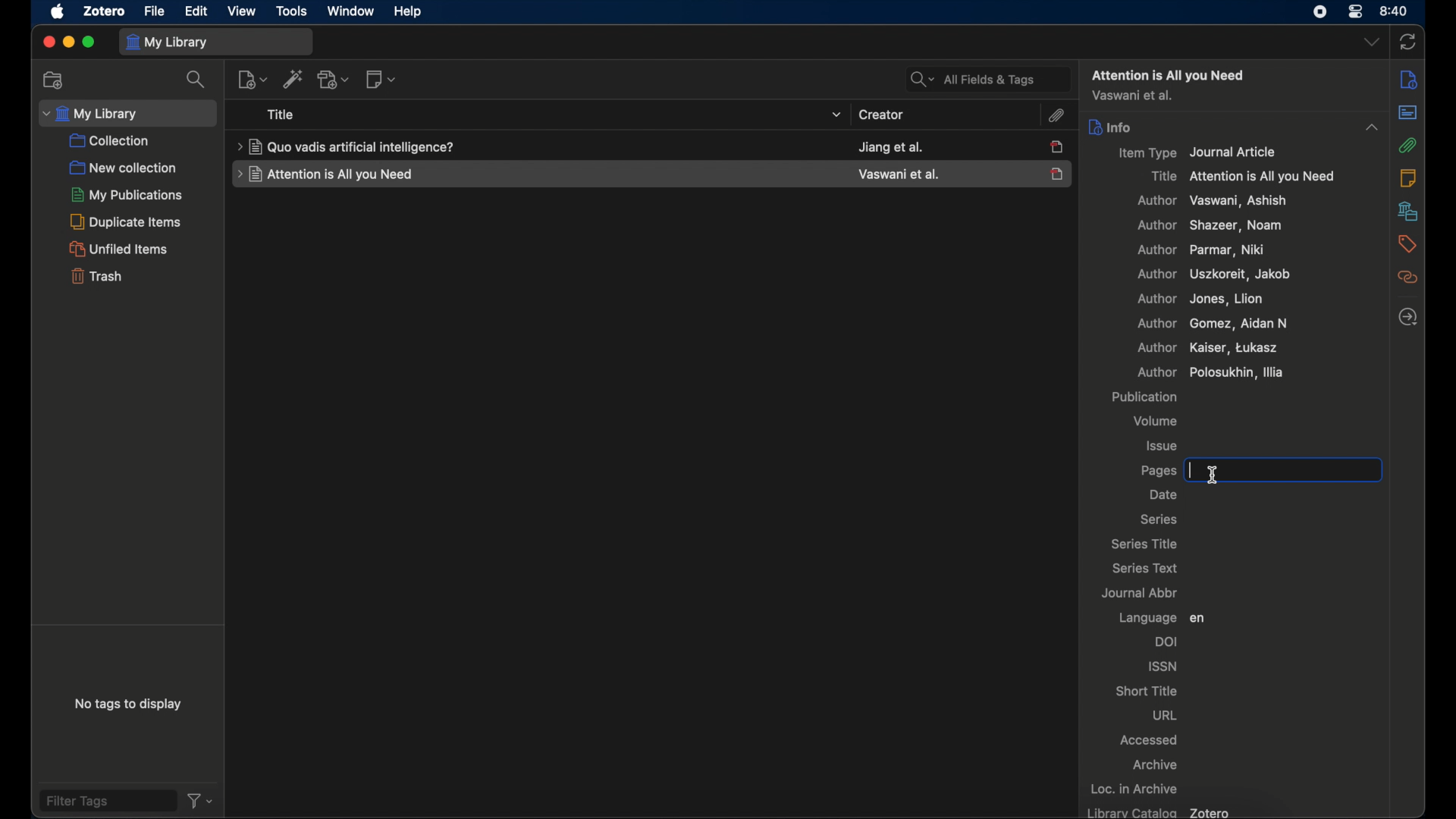 This screenshot has width=1456, height=819. Describe the element at coordinates (1408, 144) in the screenshot. I see `attachment` at that location.